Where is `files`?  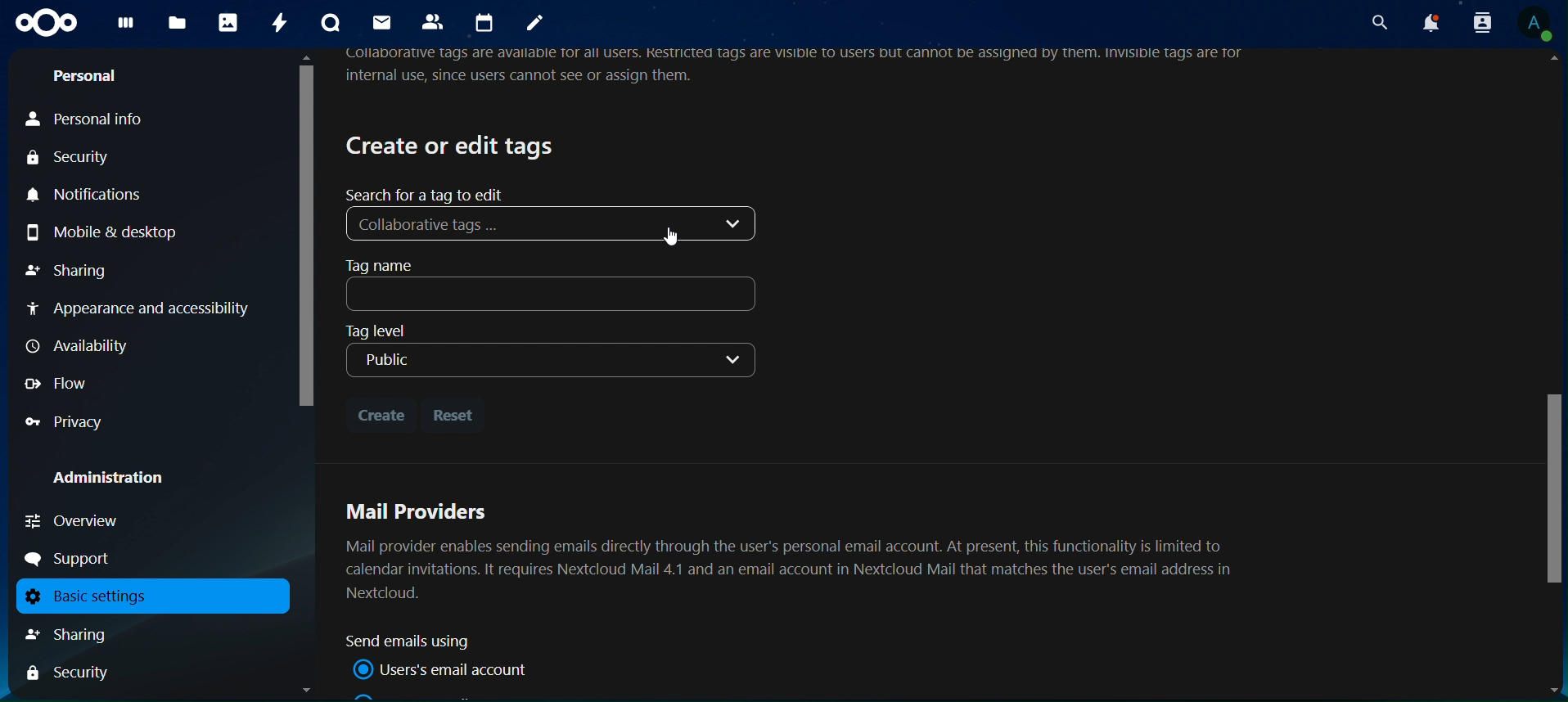
files is located at coordinates (177, 24).